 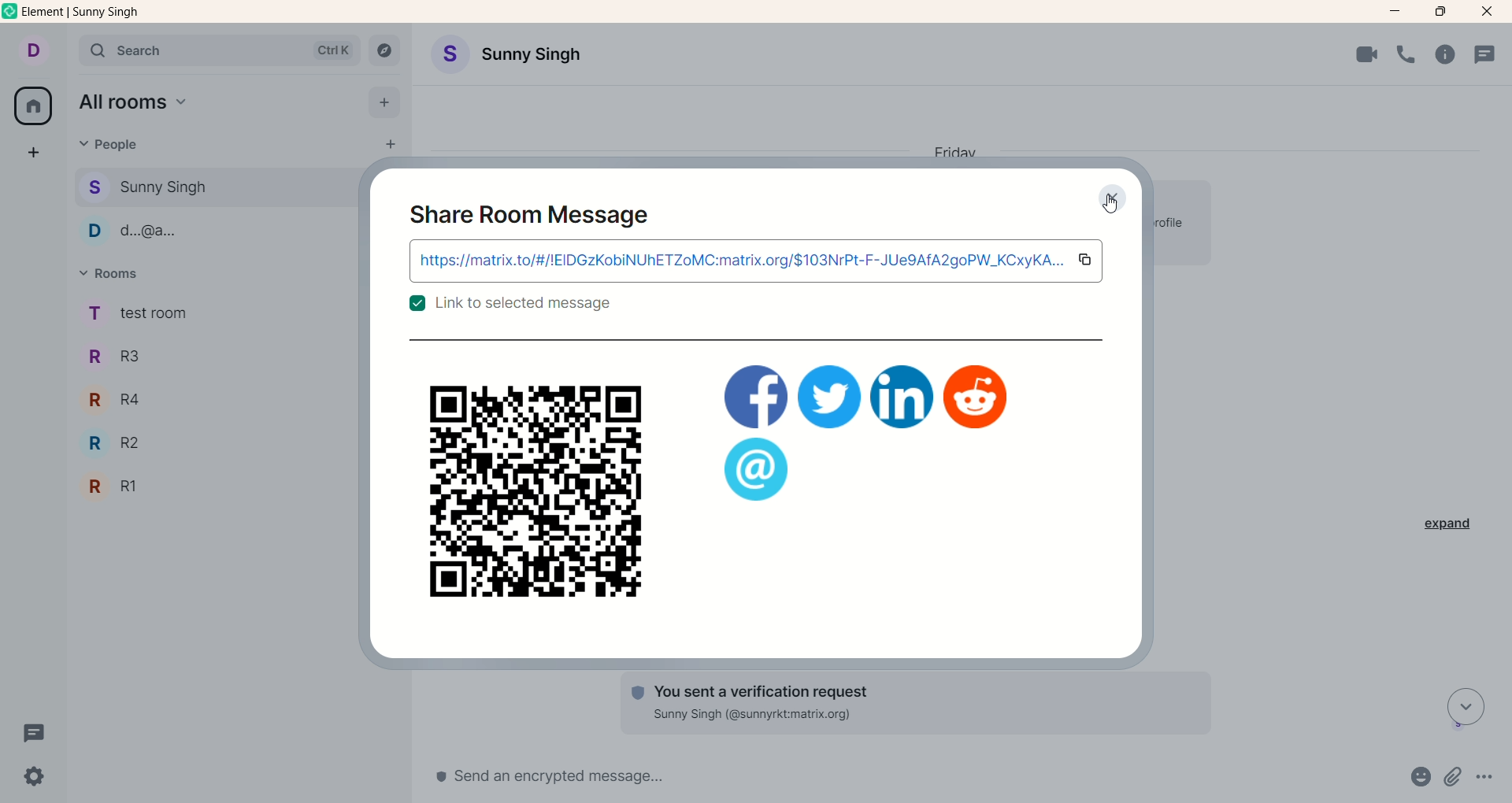 What do you see at coordinates (1455, 778) in the screenshot?
I see `attachments` at bounding box center [1455, 778].